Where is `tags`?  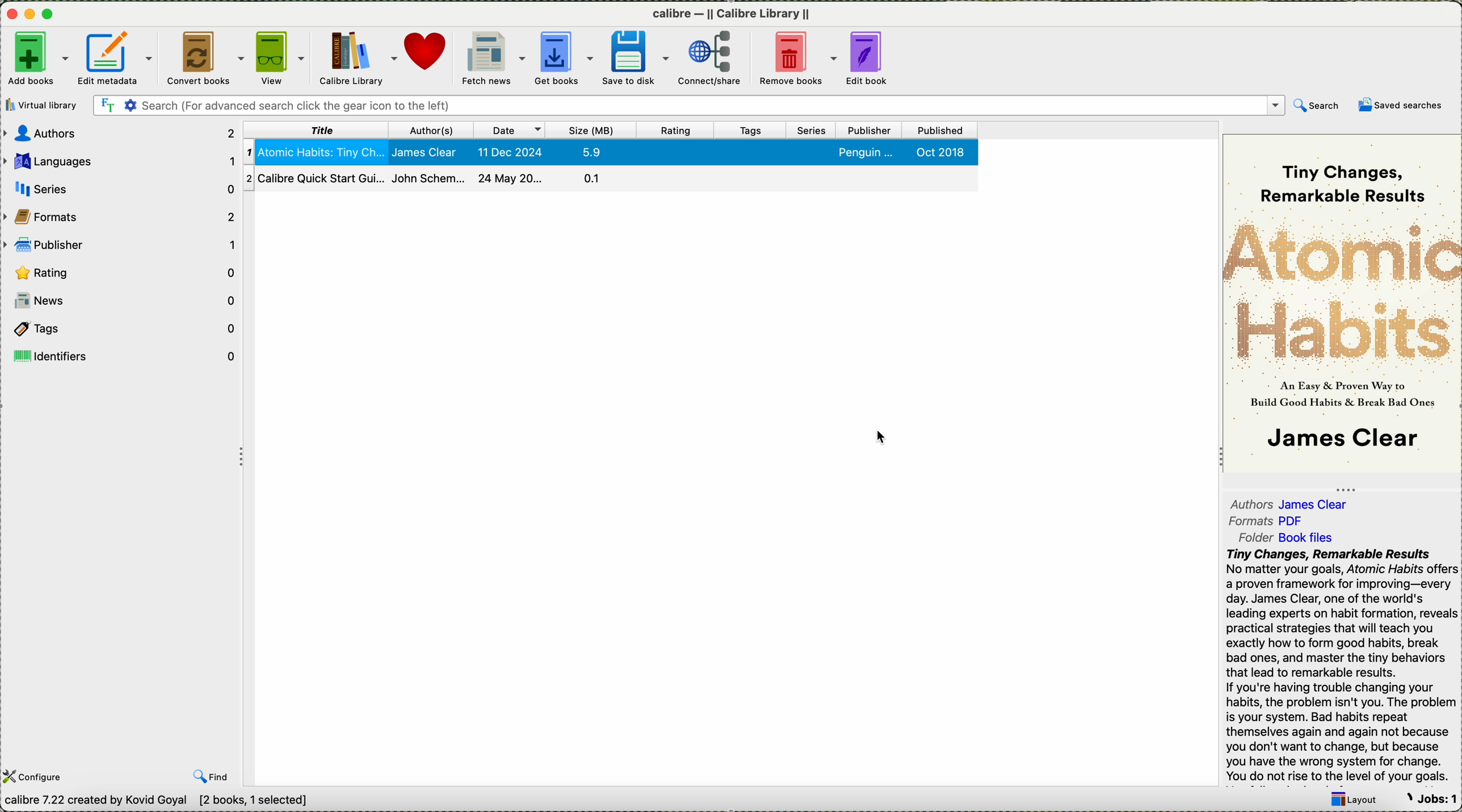
tags is located at coordinates (121, 330).